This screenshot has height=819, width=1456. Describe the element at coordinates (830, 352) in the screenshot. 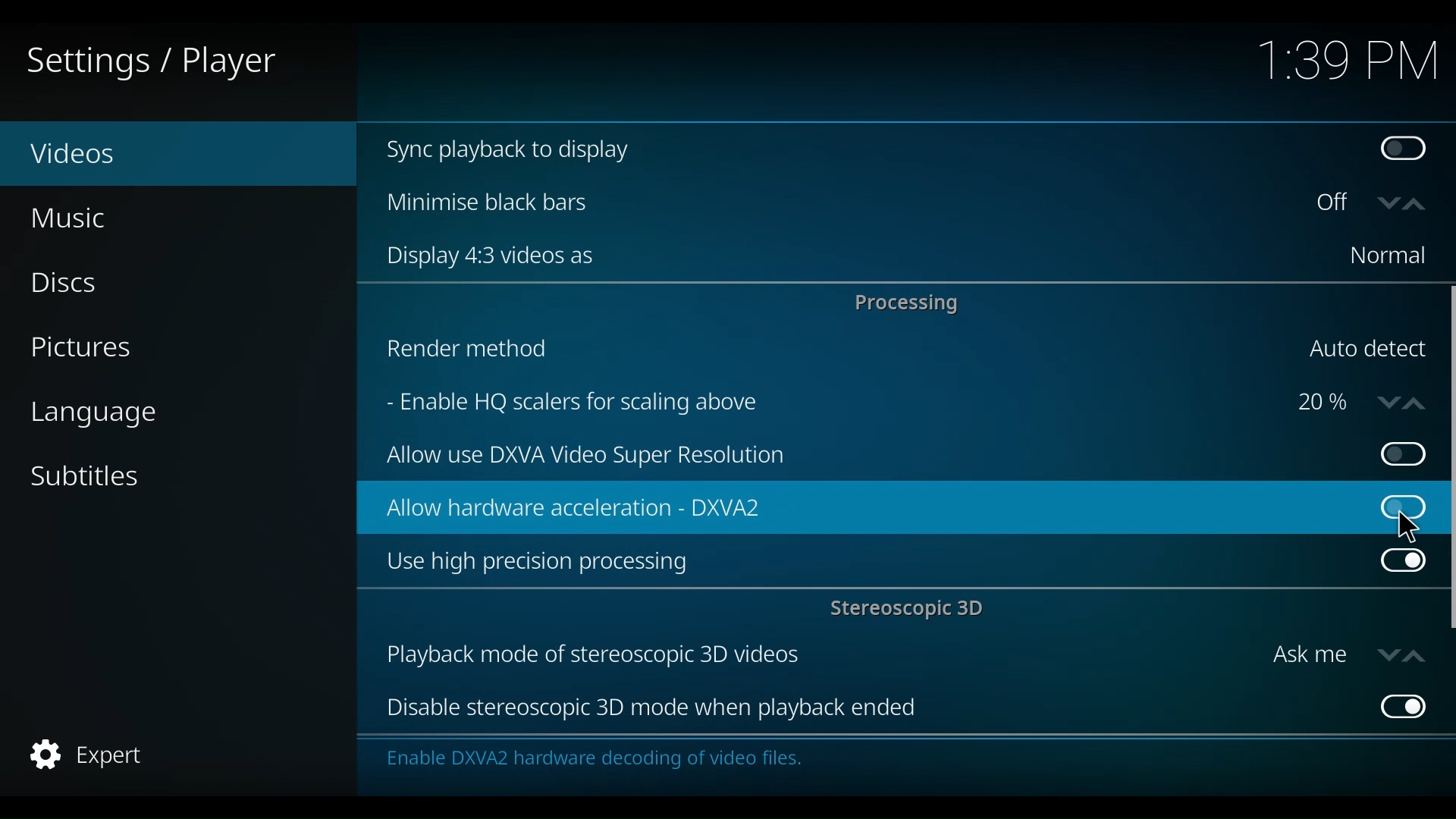

I see `Render method` at that location.